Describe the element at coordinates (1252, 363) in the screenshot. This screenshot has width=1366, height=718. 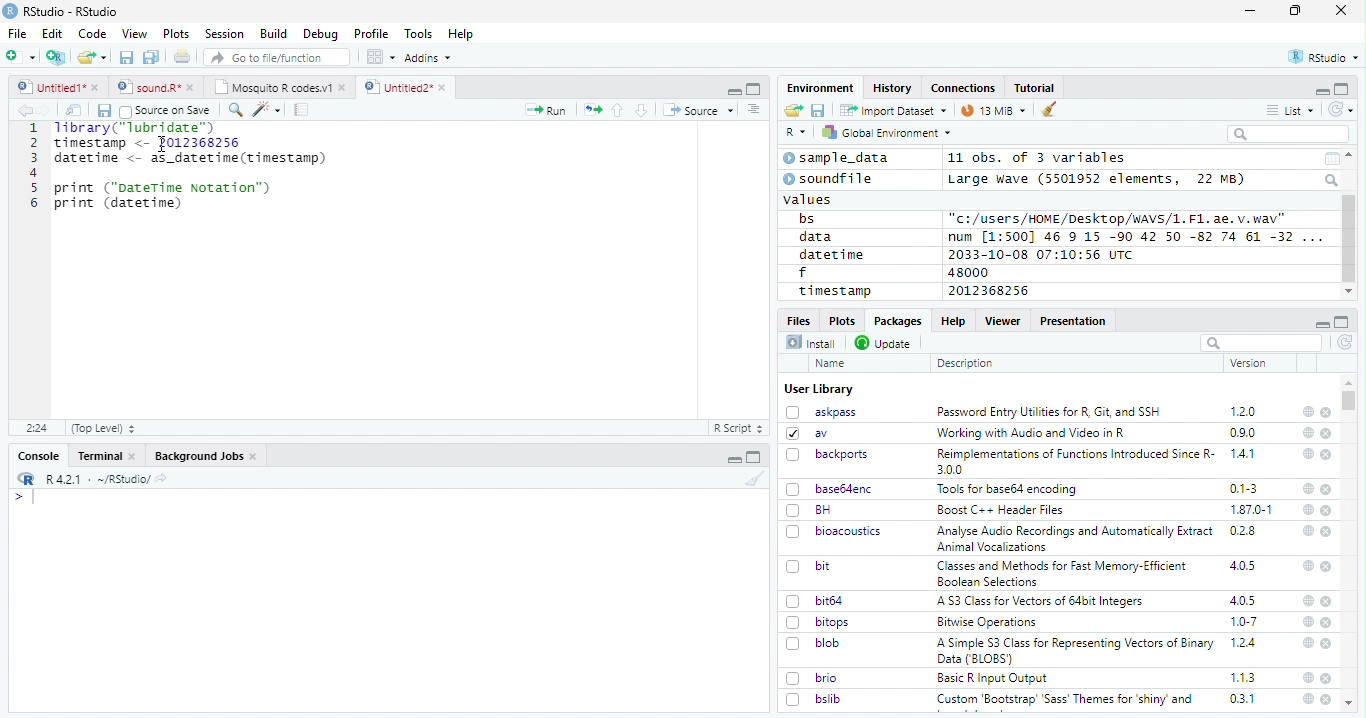
I see `Version` at that location.